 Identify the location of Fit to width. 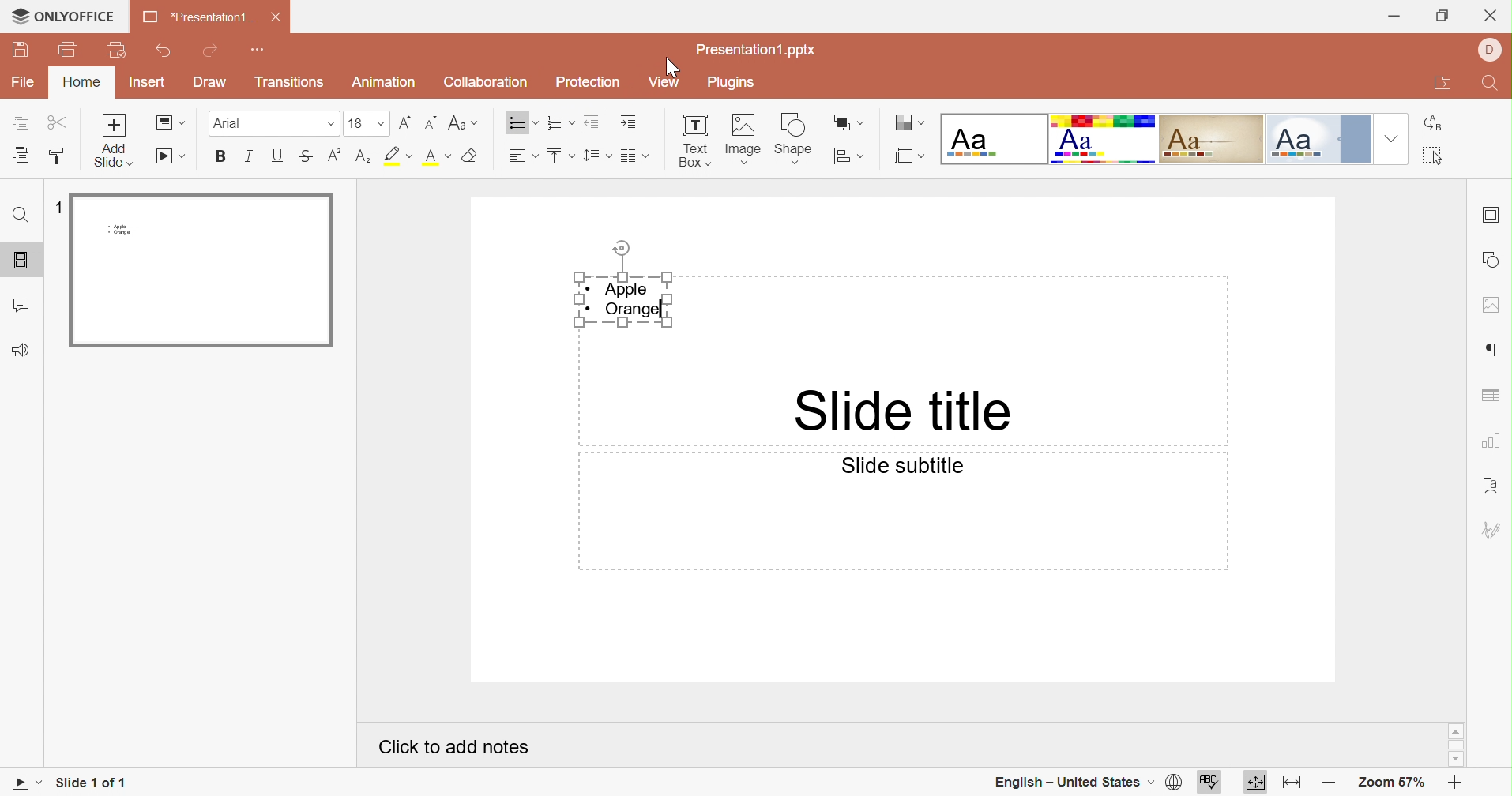
(1296, 783).